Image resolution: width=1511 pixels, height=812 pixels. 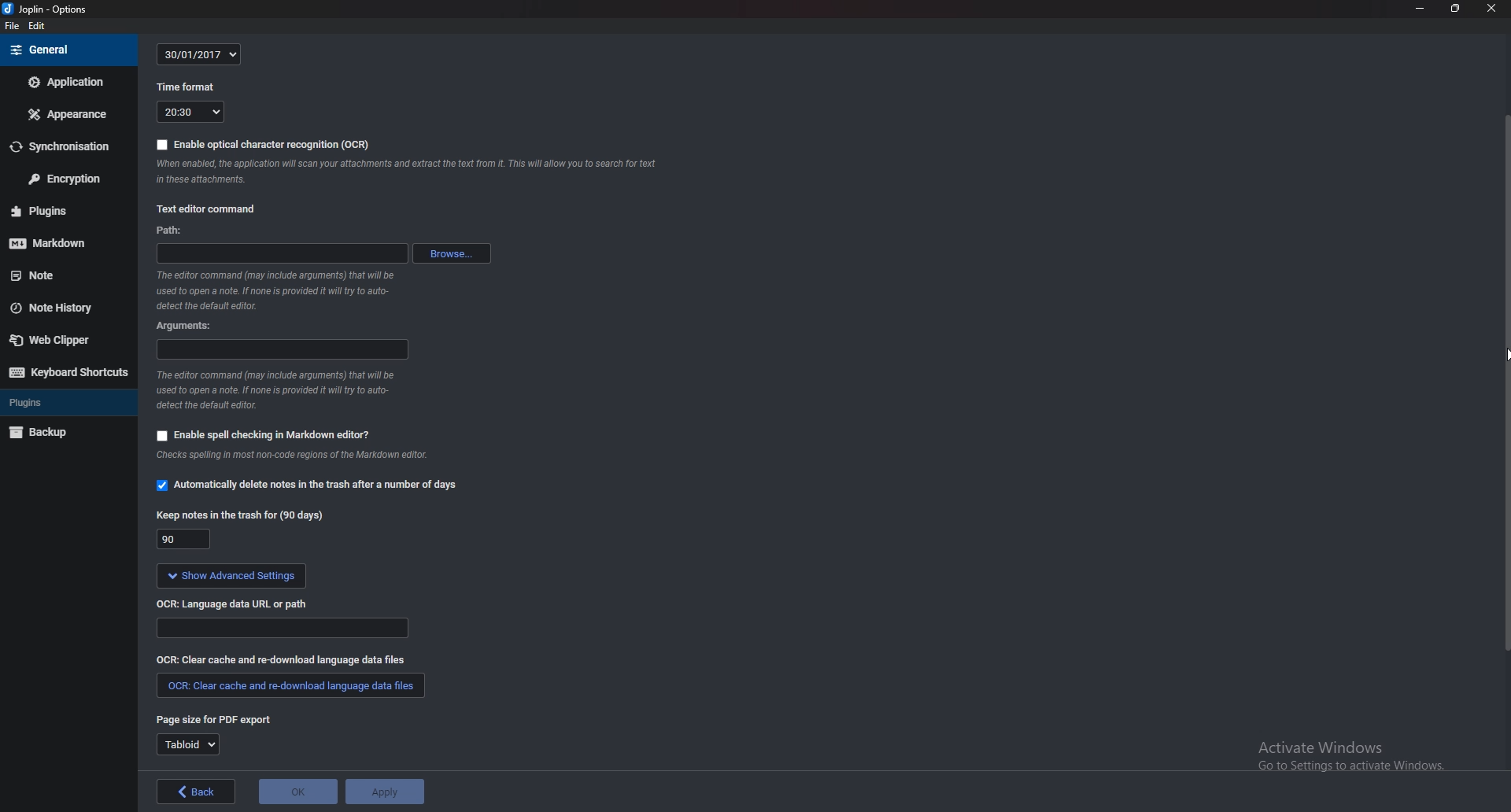 I want to click on note, so click(x=408, y=173).